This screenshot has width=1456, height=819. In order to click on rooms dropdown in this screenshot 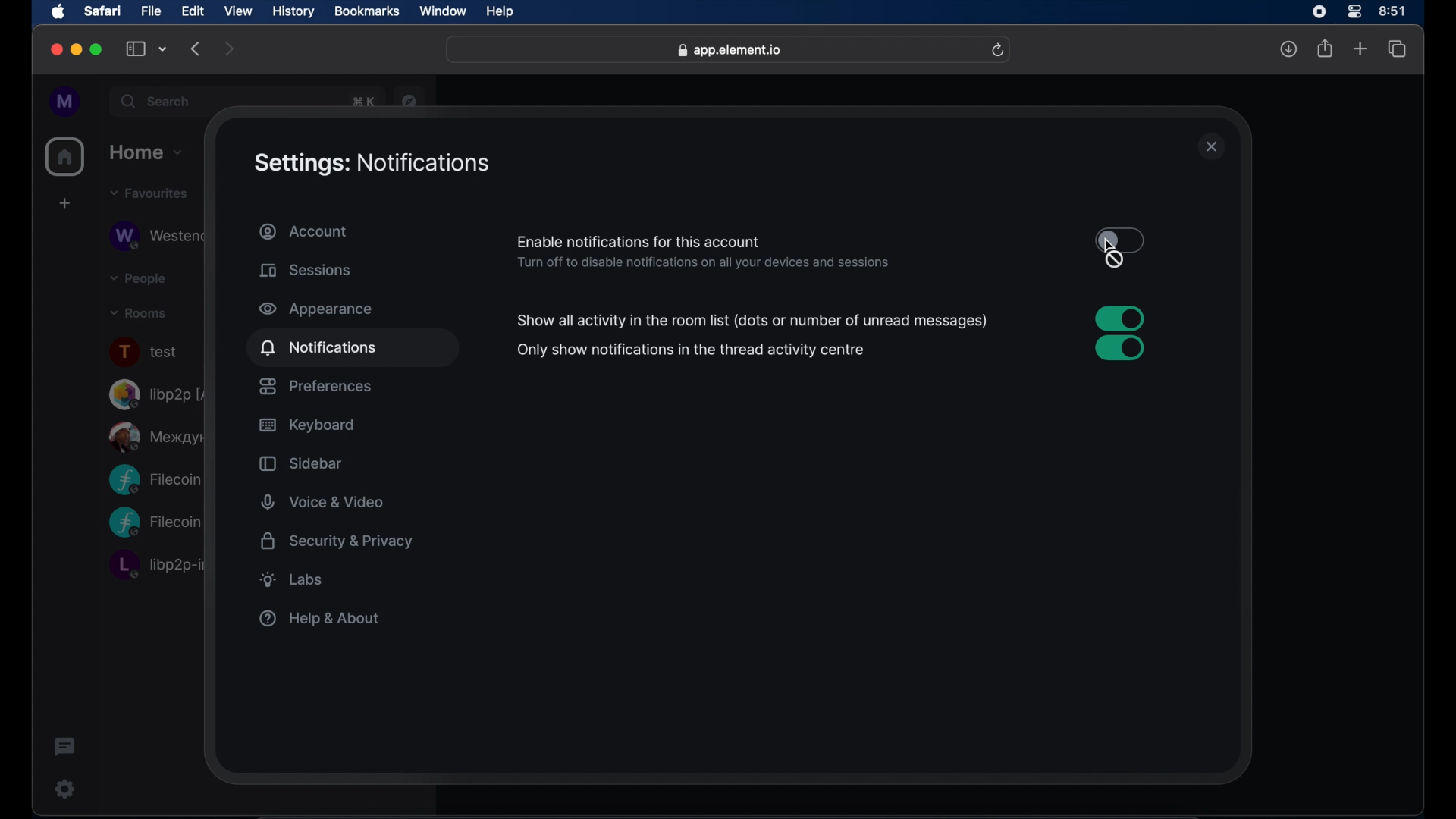, I will do `click(136, 314)`.